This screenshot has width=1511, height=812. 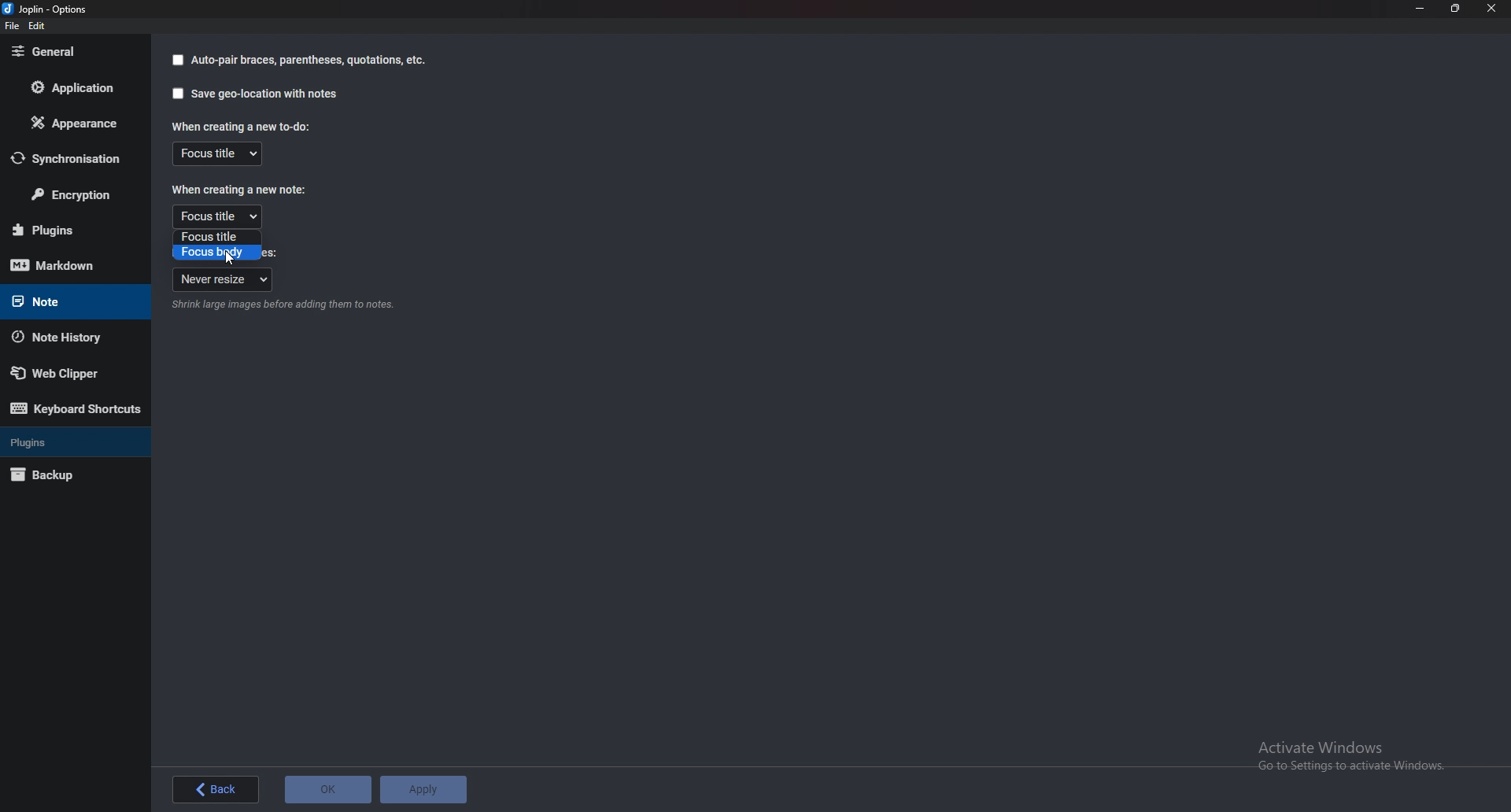 I want to click on Back up, so click(x=65, y=474).